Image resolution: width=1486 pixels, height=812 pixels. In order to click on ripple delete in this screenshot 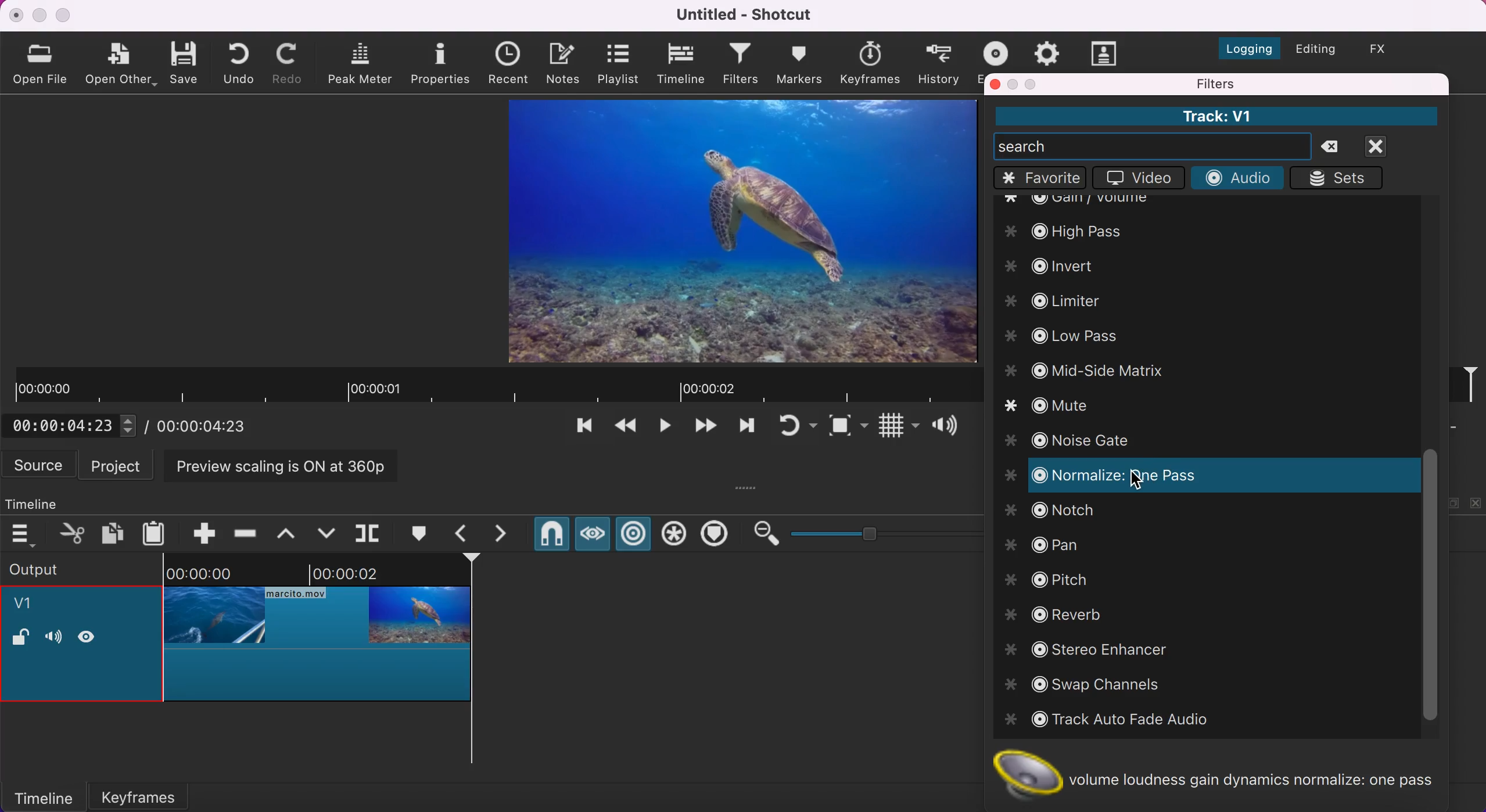, I will do `click(246, 530)`.